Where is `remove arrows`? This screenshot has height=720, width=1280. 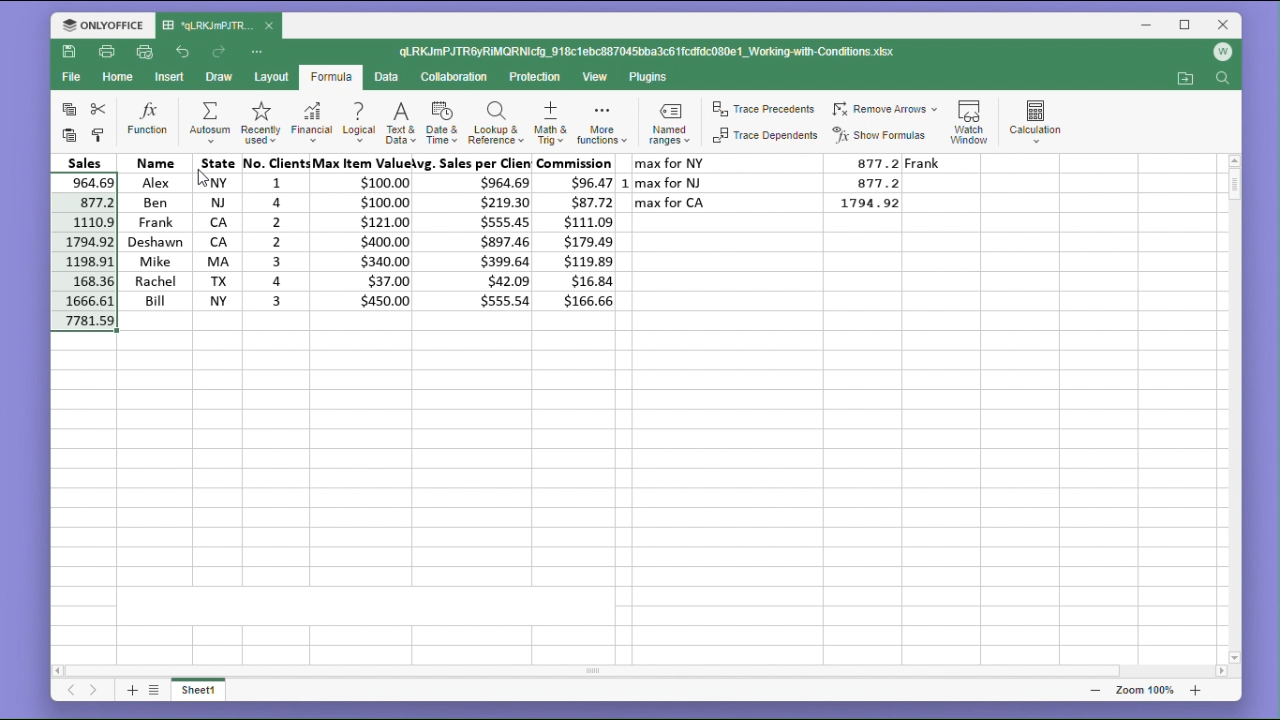 remove arrows is located at coordinates (885, 106).